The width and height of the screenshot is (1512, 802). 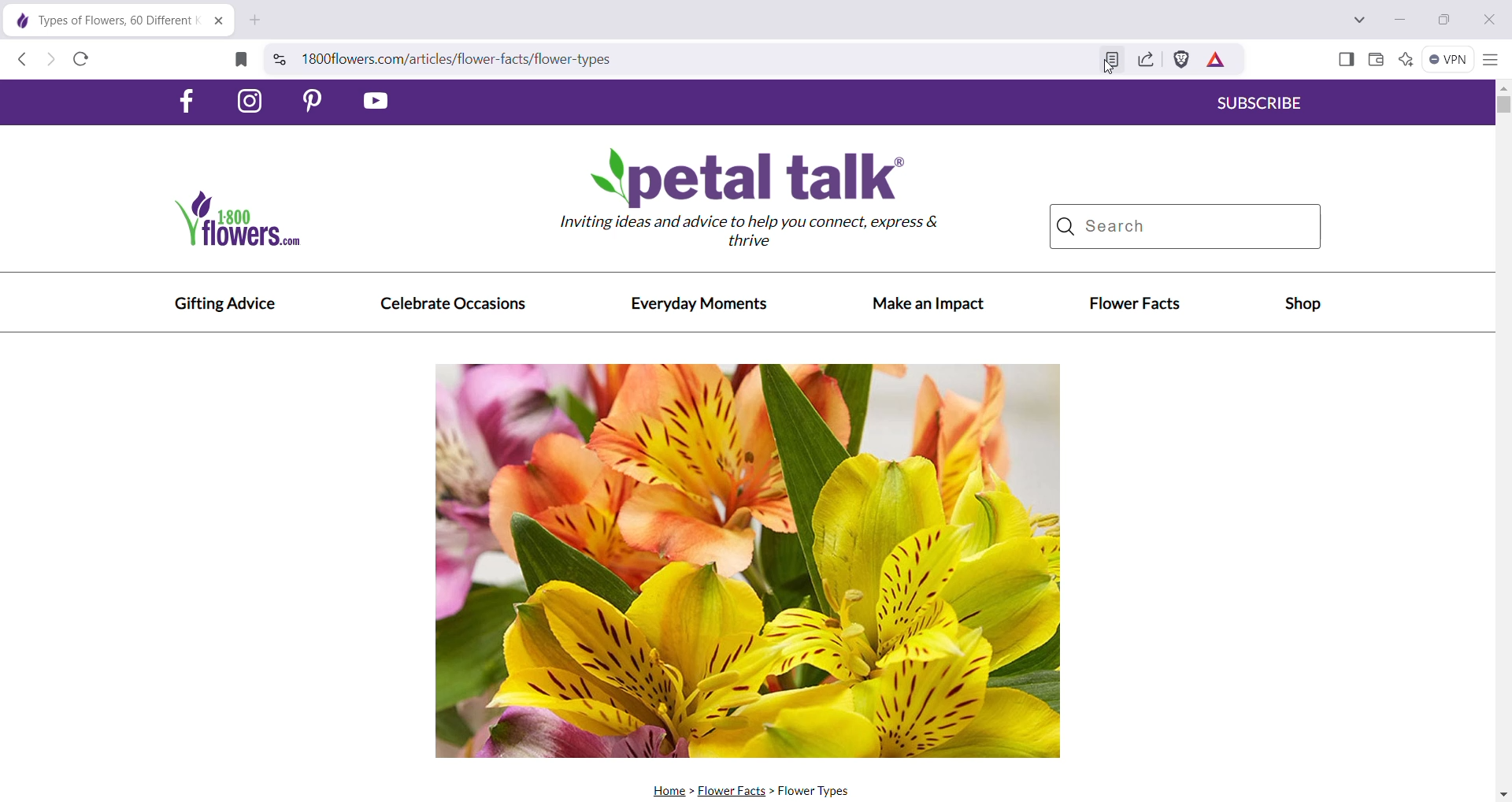 I want to click on petal talk Inviting ideas and advice to help you connect, express & thrive, so click(x=762, y=204).